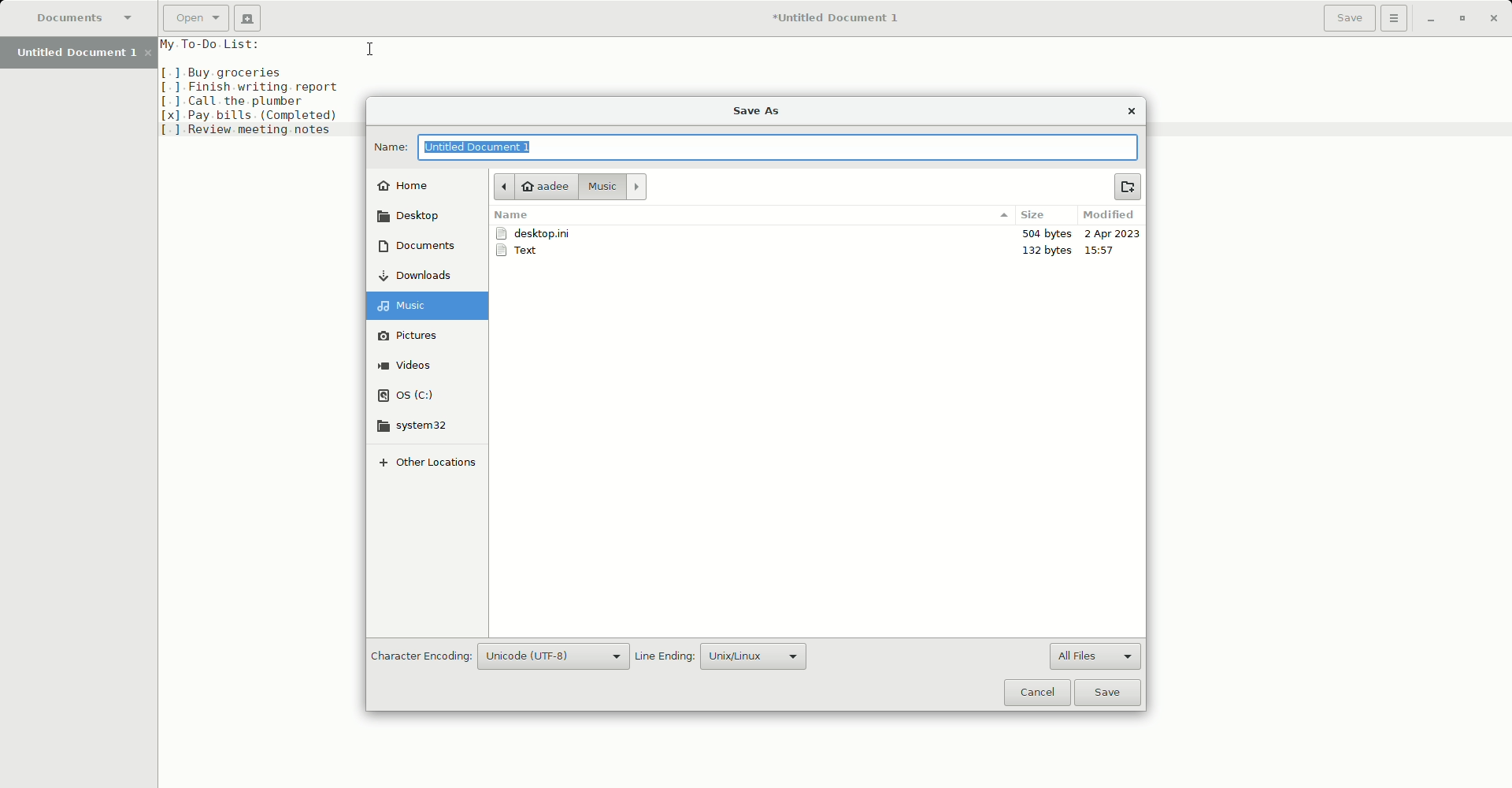  Describe the element at coordinates (387, 146) in the screenshot. I see `Name` at that location.